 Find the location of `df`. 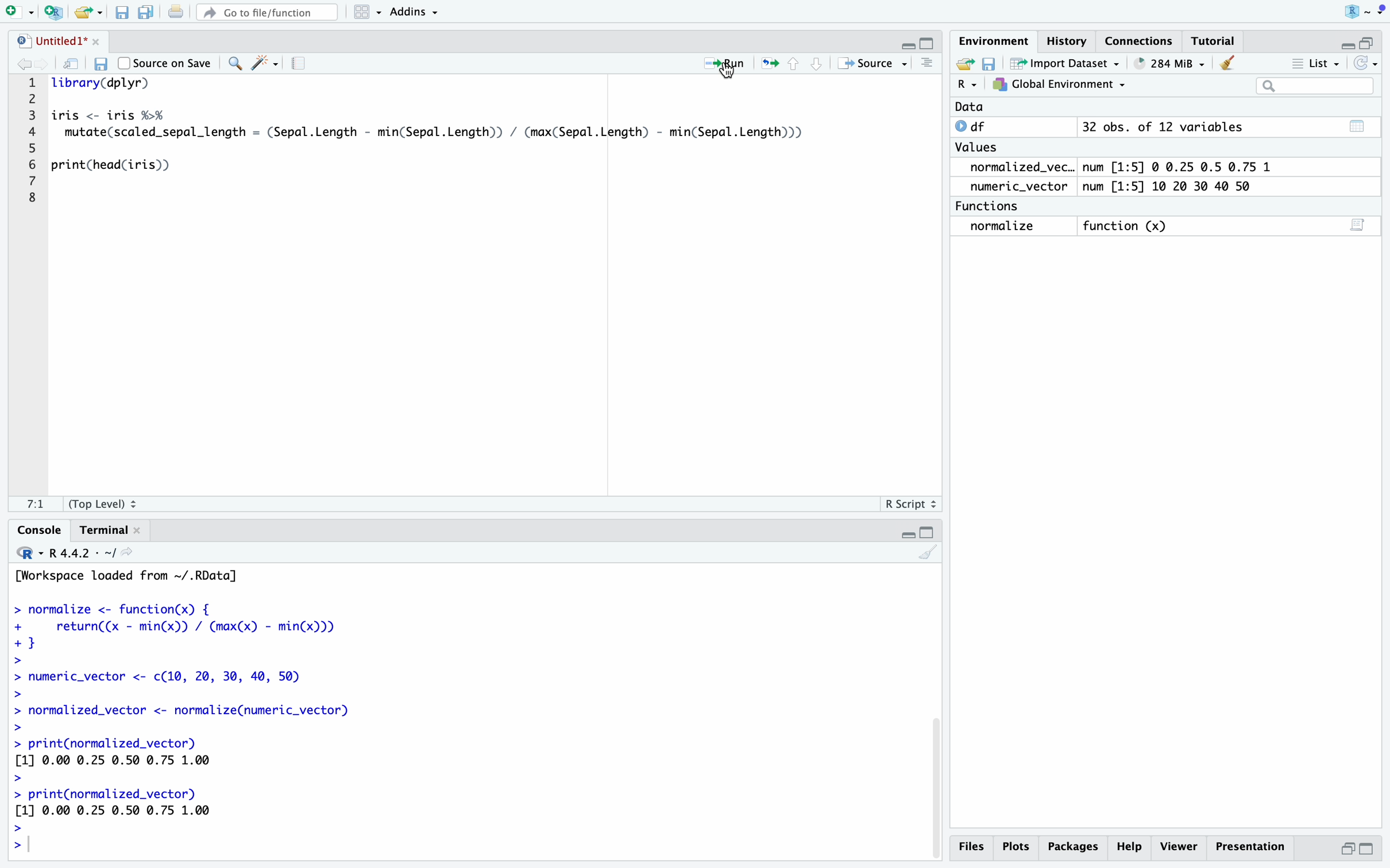

df is located at coordinates (975, 126).